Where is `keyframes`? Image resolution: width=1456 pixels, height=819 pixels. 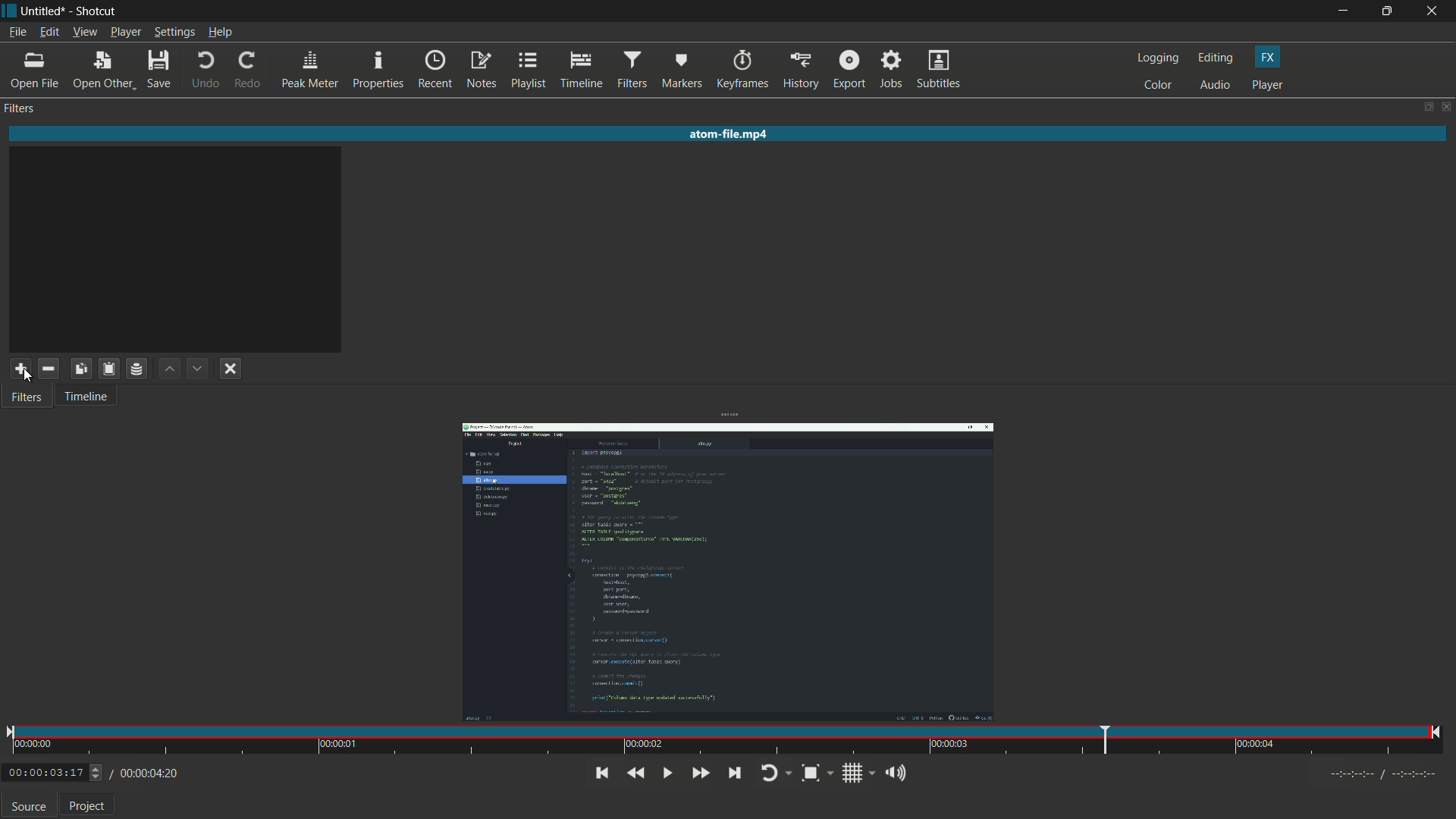 keyframes is located at coordinates (741, 70).